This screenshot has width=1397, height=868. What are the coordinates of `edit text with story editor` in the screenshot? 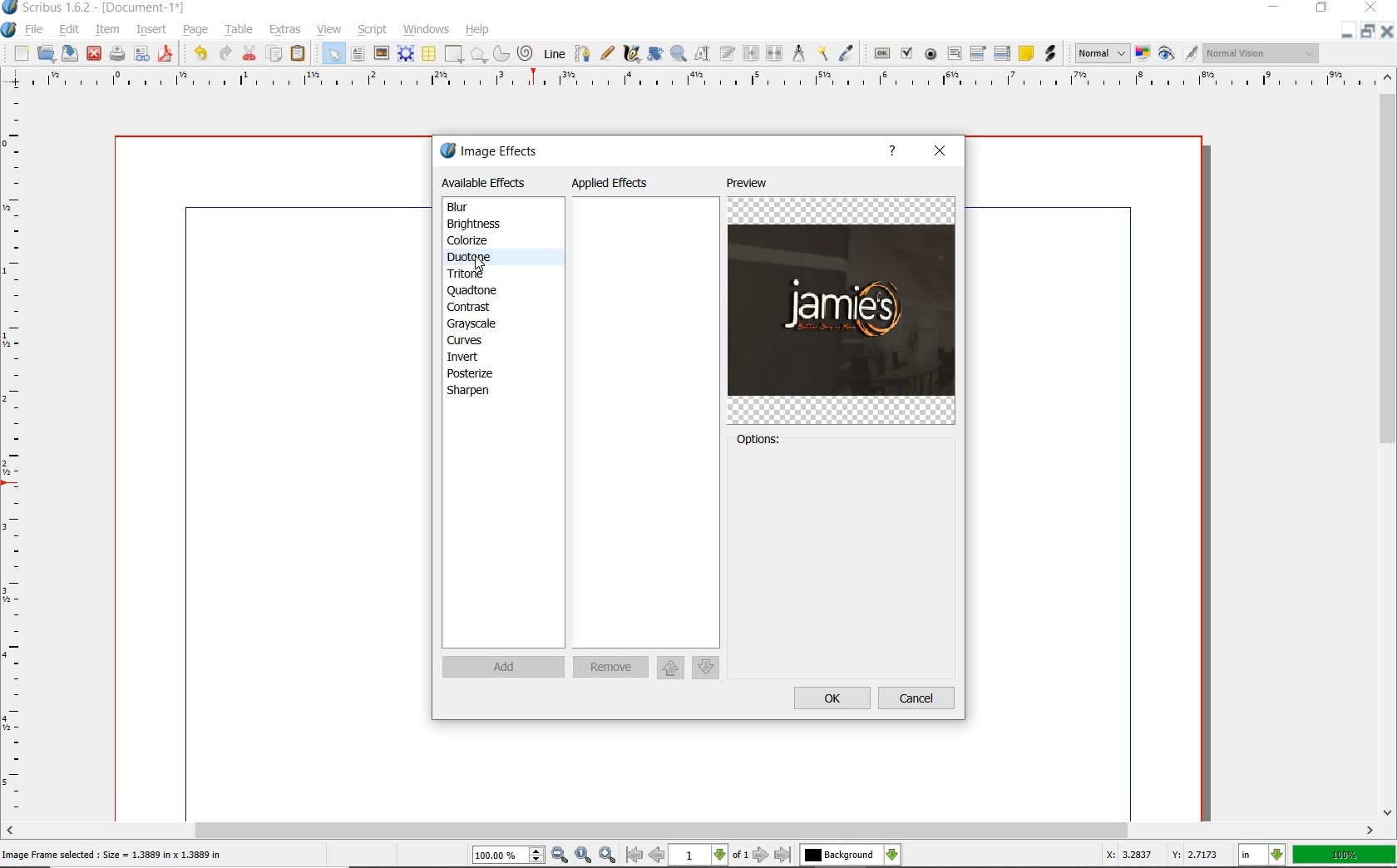 It's located at (727, 52).